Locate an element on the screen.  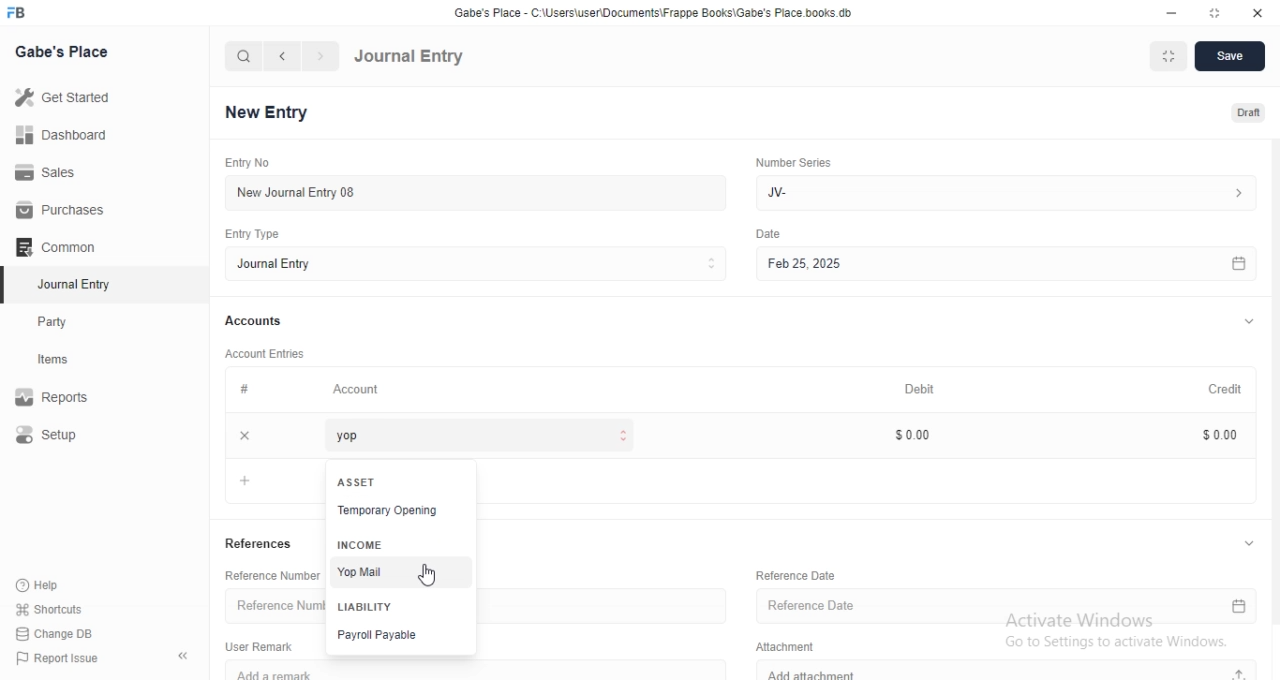
search is located at coordinates (244, 57).